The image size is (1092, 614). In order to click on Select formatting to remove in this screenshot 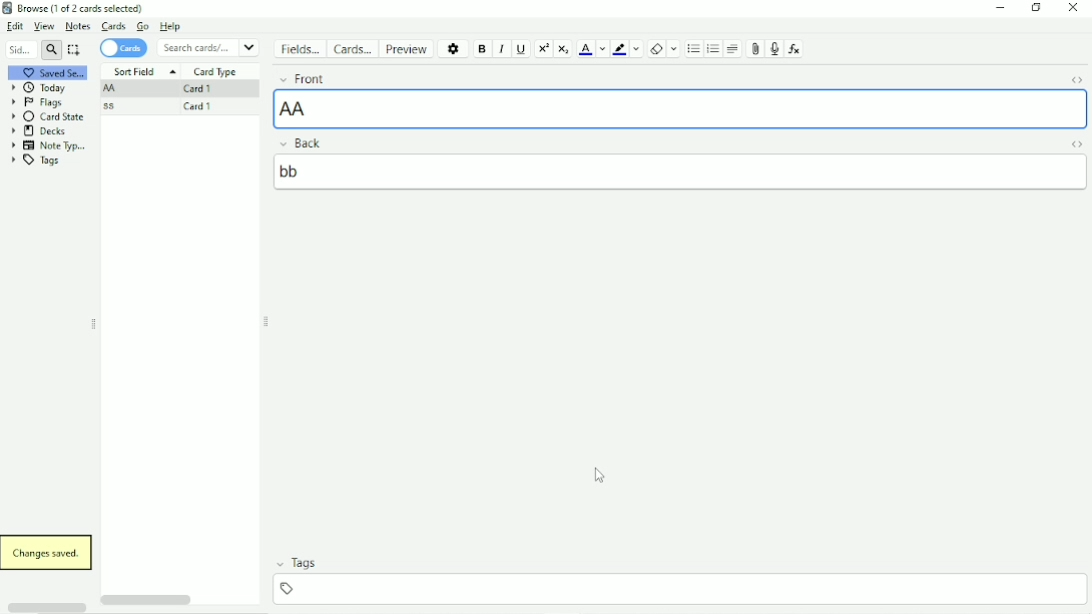, I will do `click(674, 49)`.